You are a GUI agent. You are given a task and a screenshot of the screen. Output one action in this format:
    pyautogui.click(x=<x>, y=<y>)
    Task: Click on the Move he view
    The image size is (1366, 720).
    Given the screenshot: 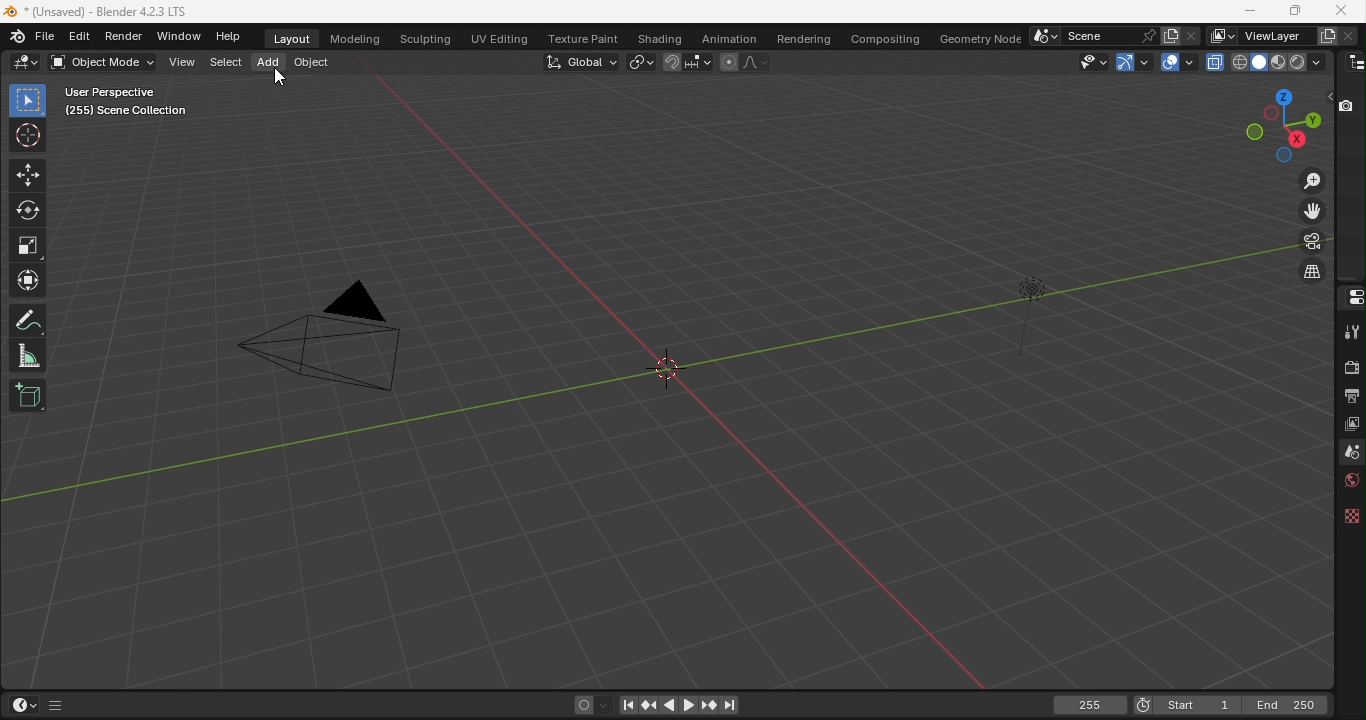 What is the action you would take?
    pyautogui.click(x=1313, y=211)
    